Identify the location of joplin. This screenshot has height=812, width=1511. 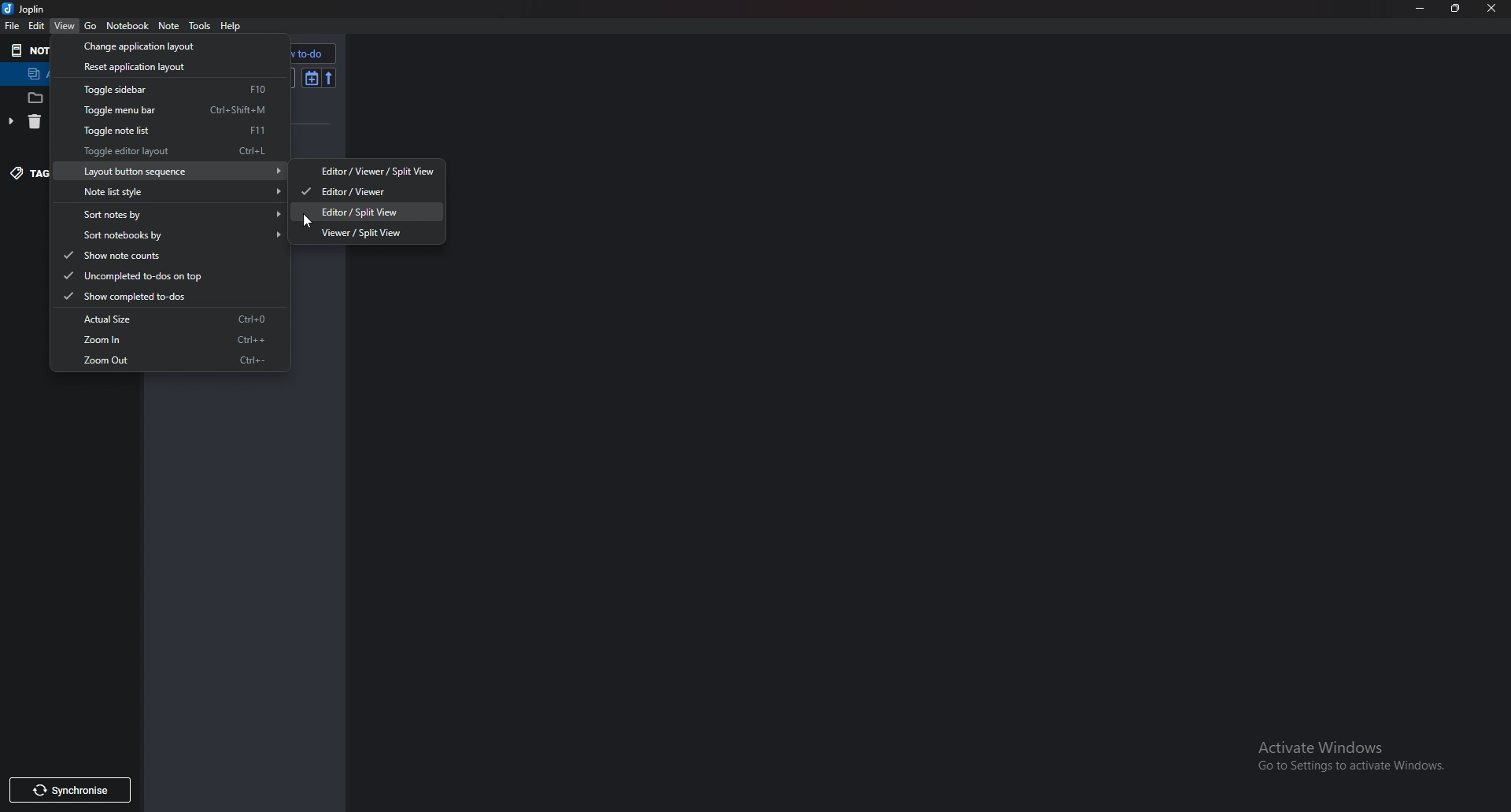
(25, 8).